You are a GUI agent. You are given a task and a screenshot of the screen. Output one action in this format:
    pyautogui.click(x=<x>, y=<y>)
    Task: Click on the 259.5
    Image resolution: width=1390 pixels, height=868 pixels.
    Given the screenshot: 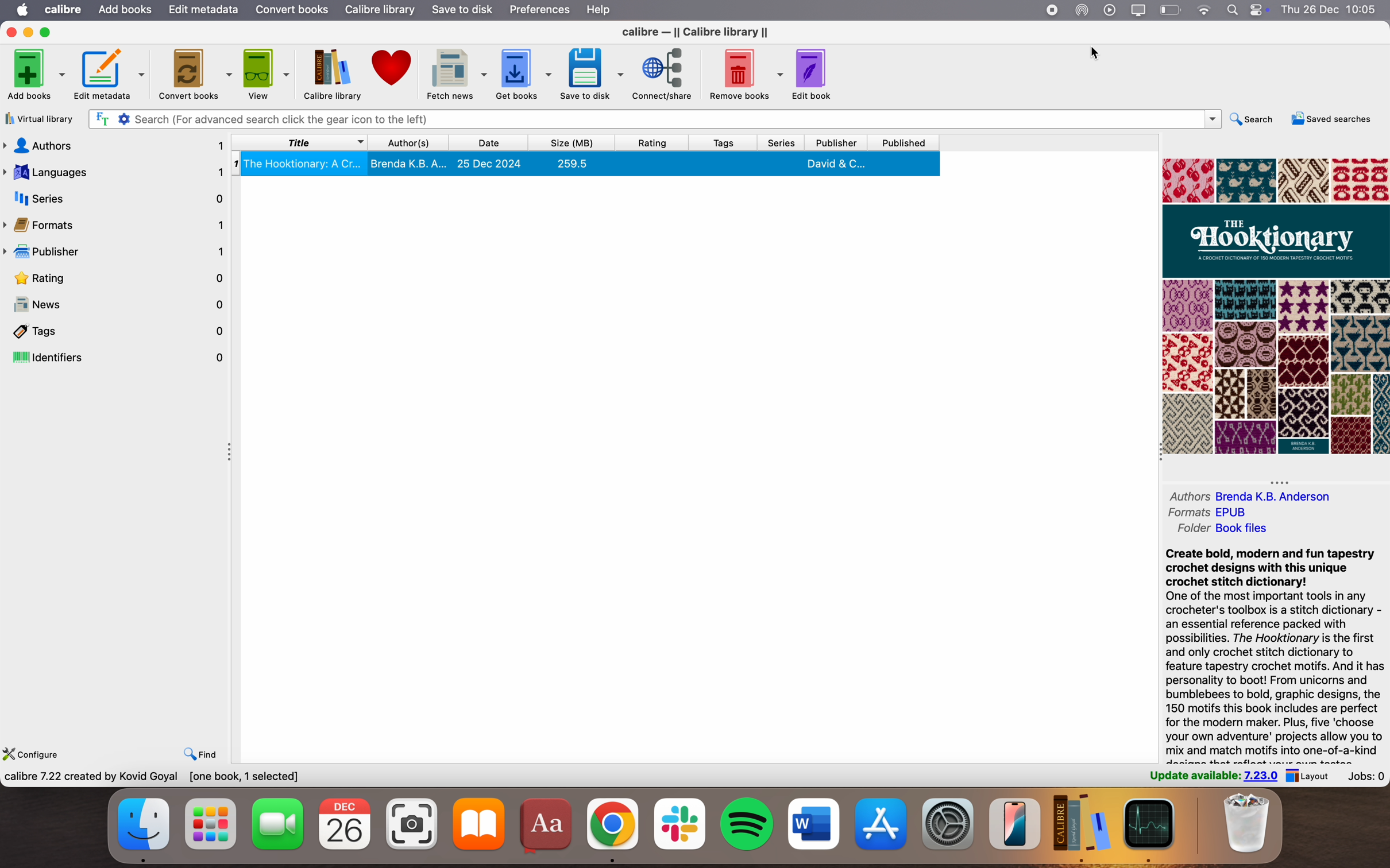 What is the action you would take?
    pyautogui.click(x=570, y=165)
    